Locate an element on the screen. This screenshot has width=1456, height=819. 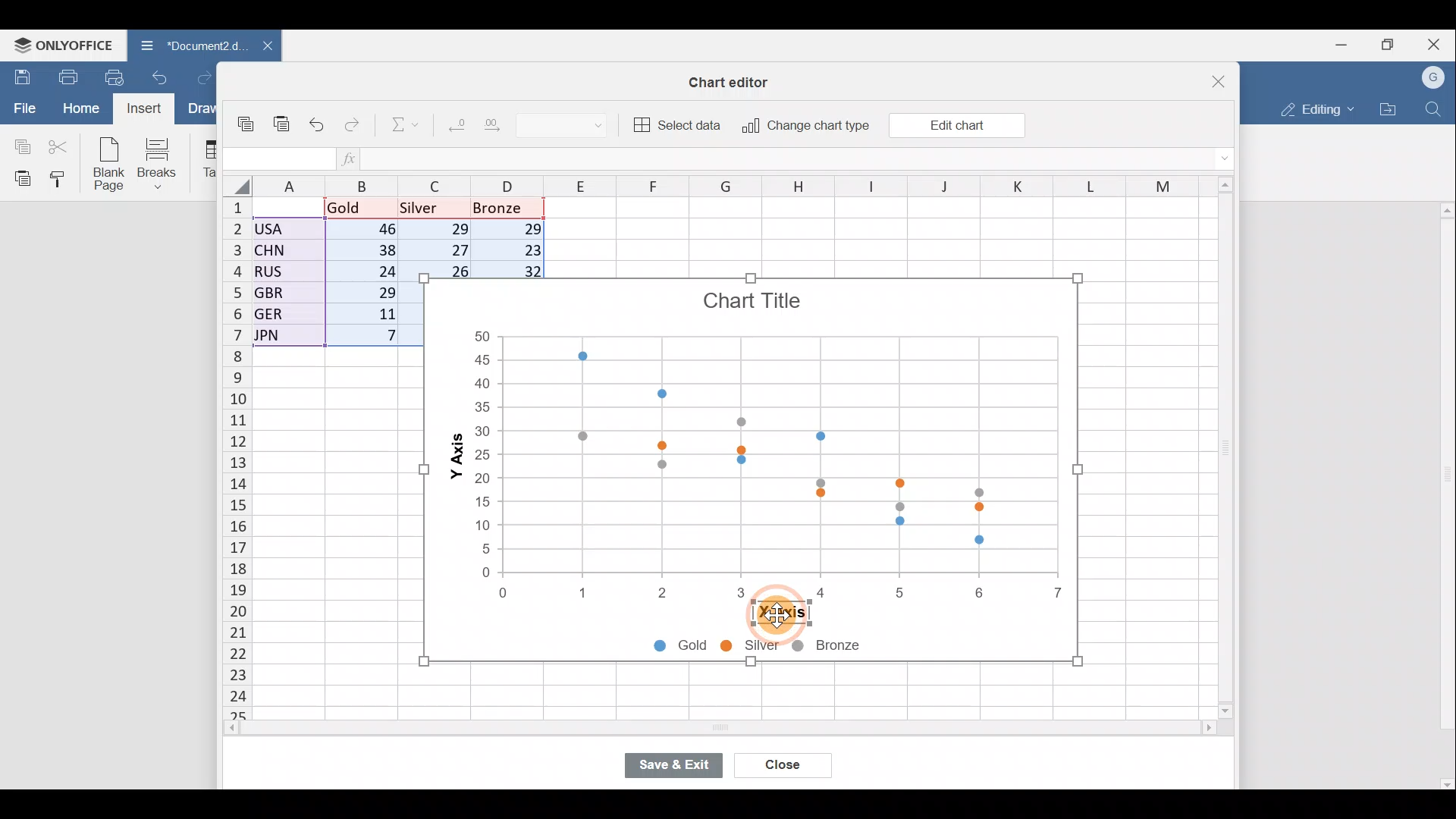
Select data is located at coordinates (679, 125).